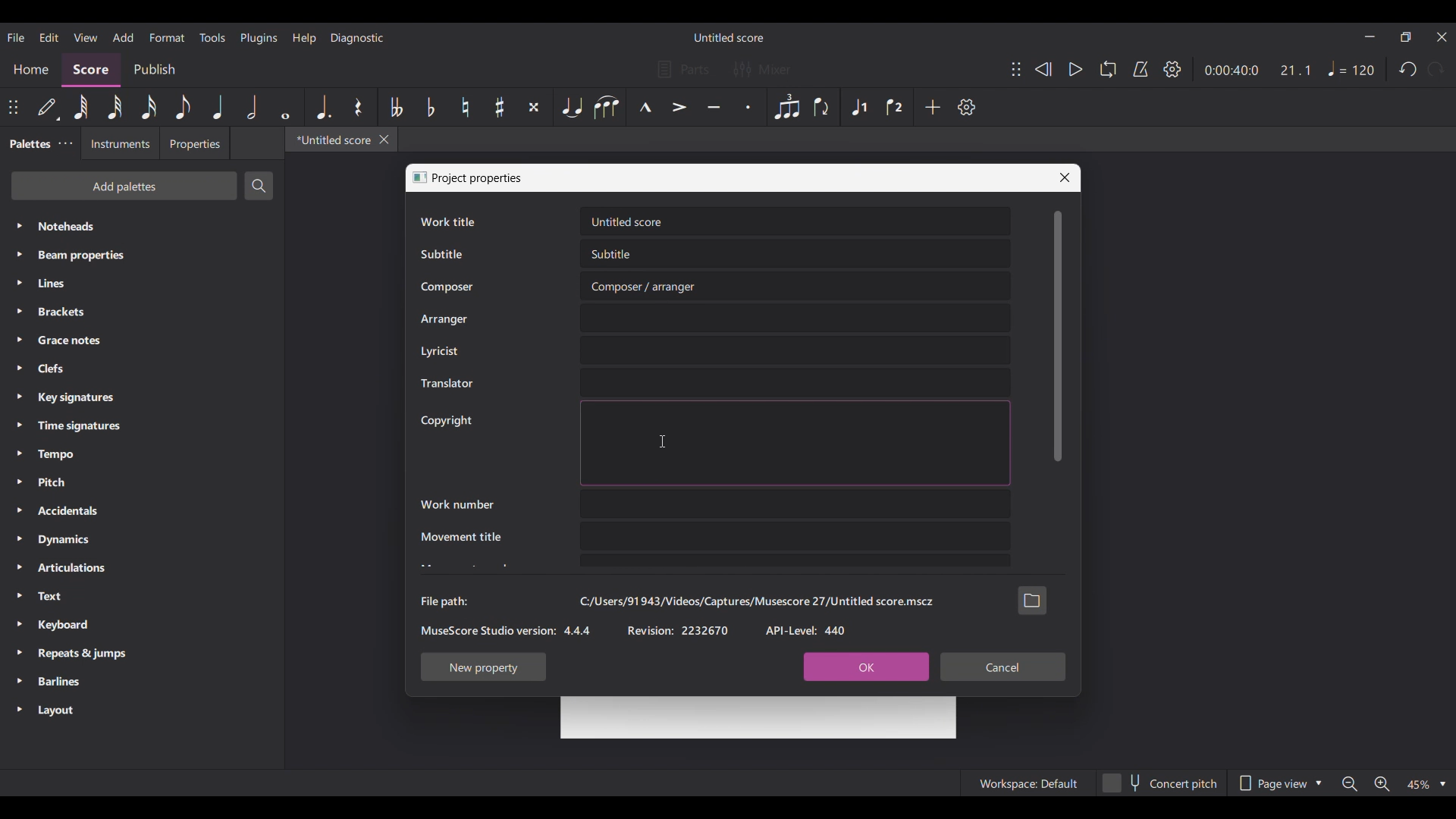 Image resolution: width=1456 pixels, height=819 pixels. I want to click on Voice 1, so click(858, 107).